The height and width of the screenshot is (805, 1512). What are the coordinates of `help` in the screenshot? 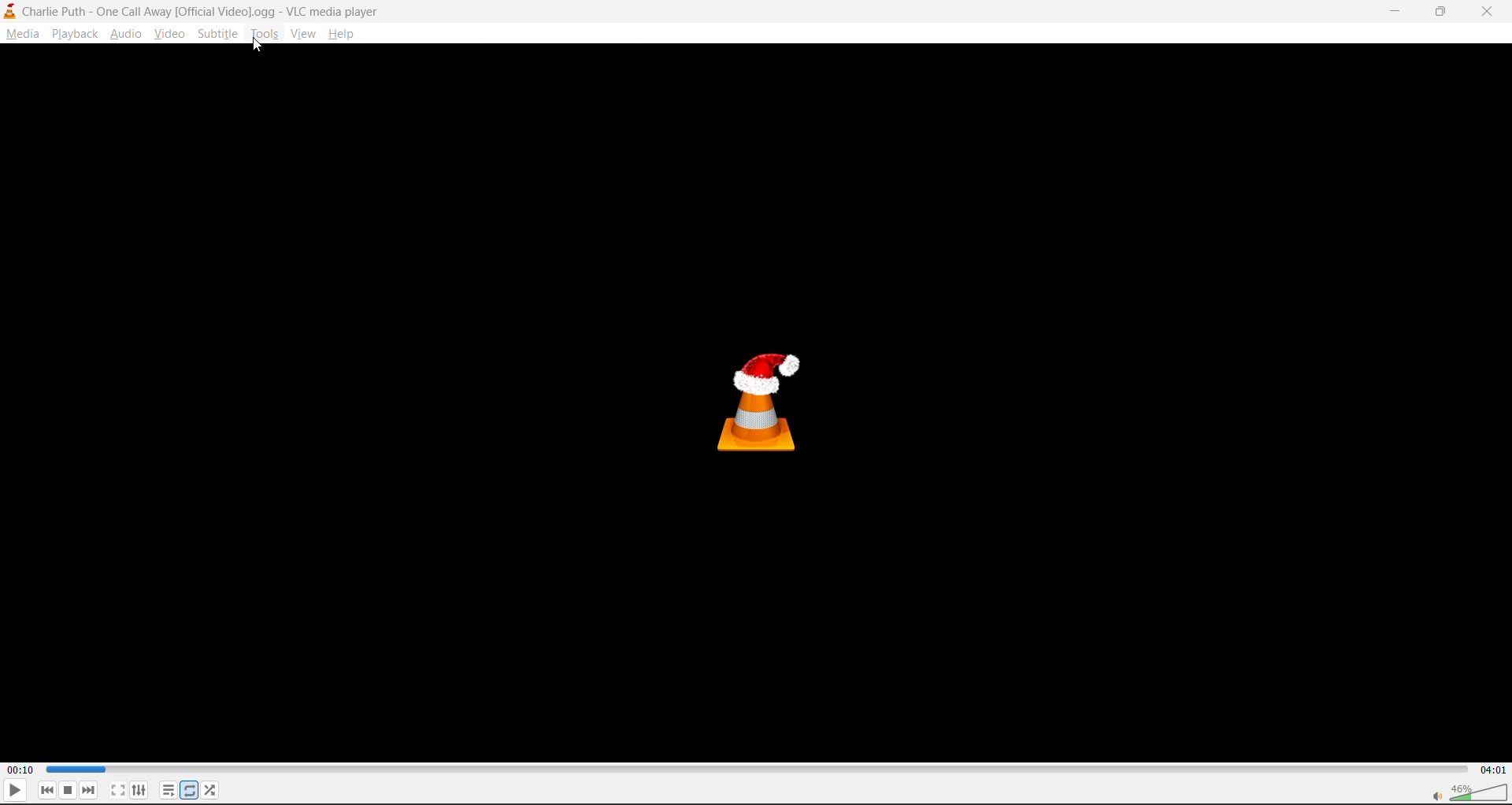 It's located at (345, 35).